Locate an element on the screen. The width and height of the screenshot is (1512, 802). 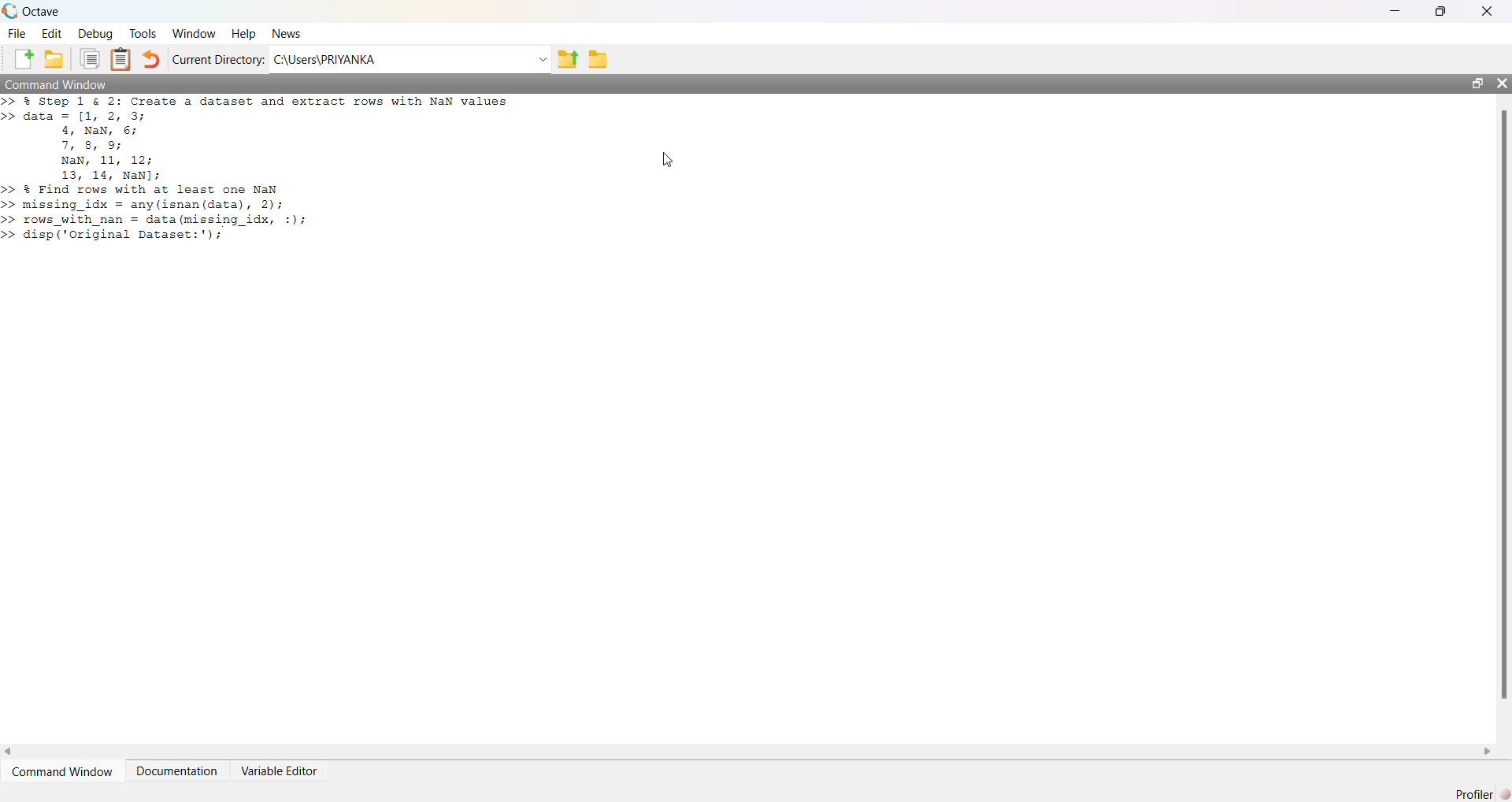
scroll right is located at coordinates (1488, 752).